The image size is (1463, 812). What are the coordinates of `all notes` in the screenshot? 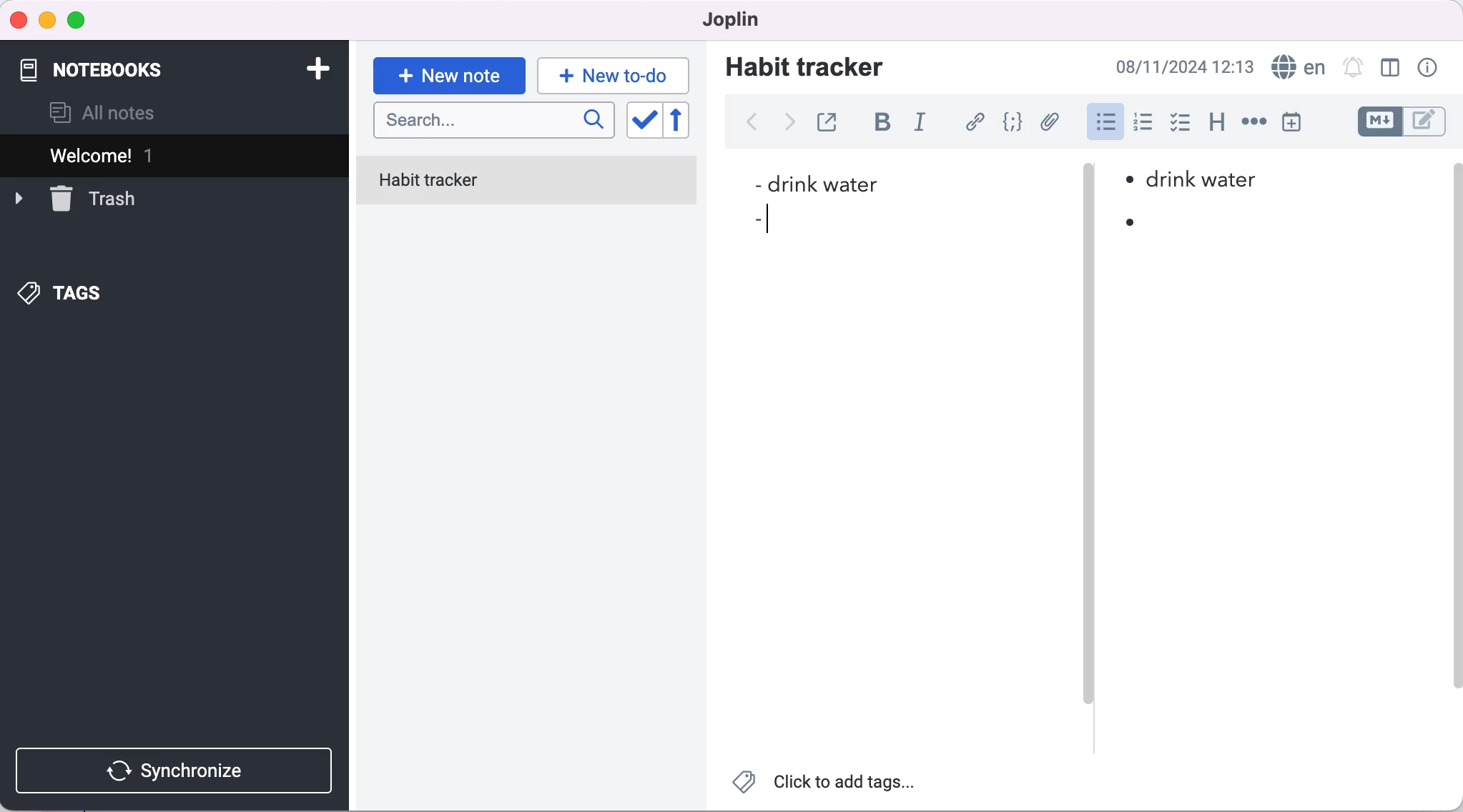 It's located at (103, 113).